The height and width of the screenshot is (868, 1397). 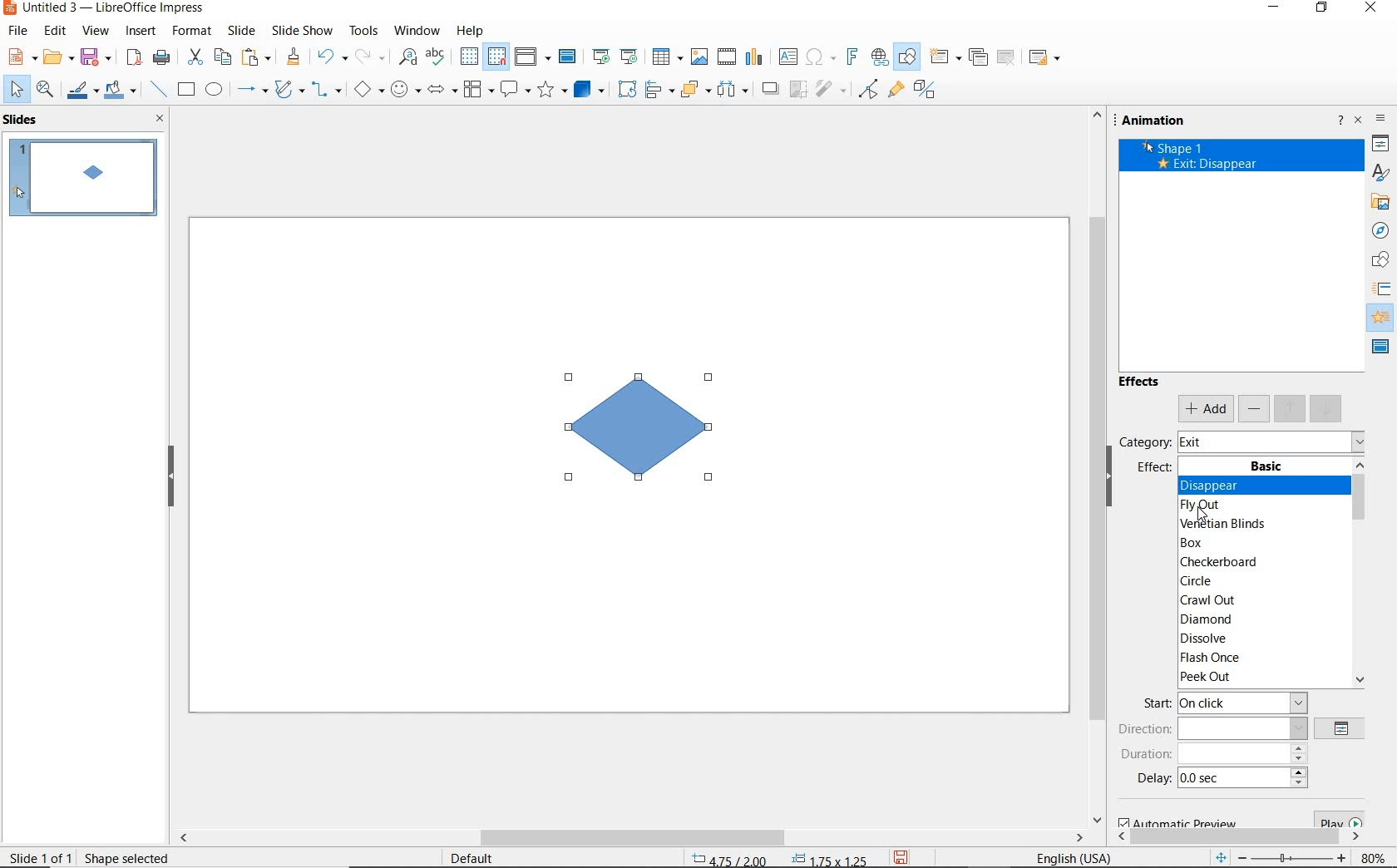 What do you see at coordinates (1341, 729) in the screenshot?
I see `options` at bounding box center [1341, 729].